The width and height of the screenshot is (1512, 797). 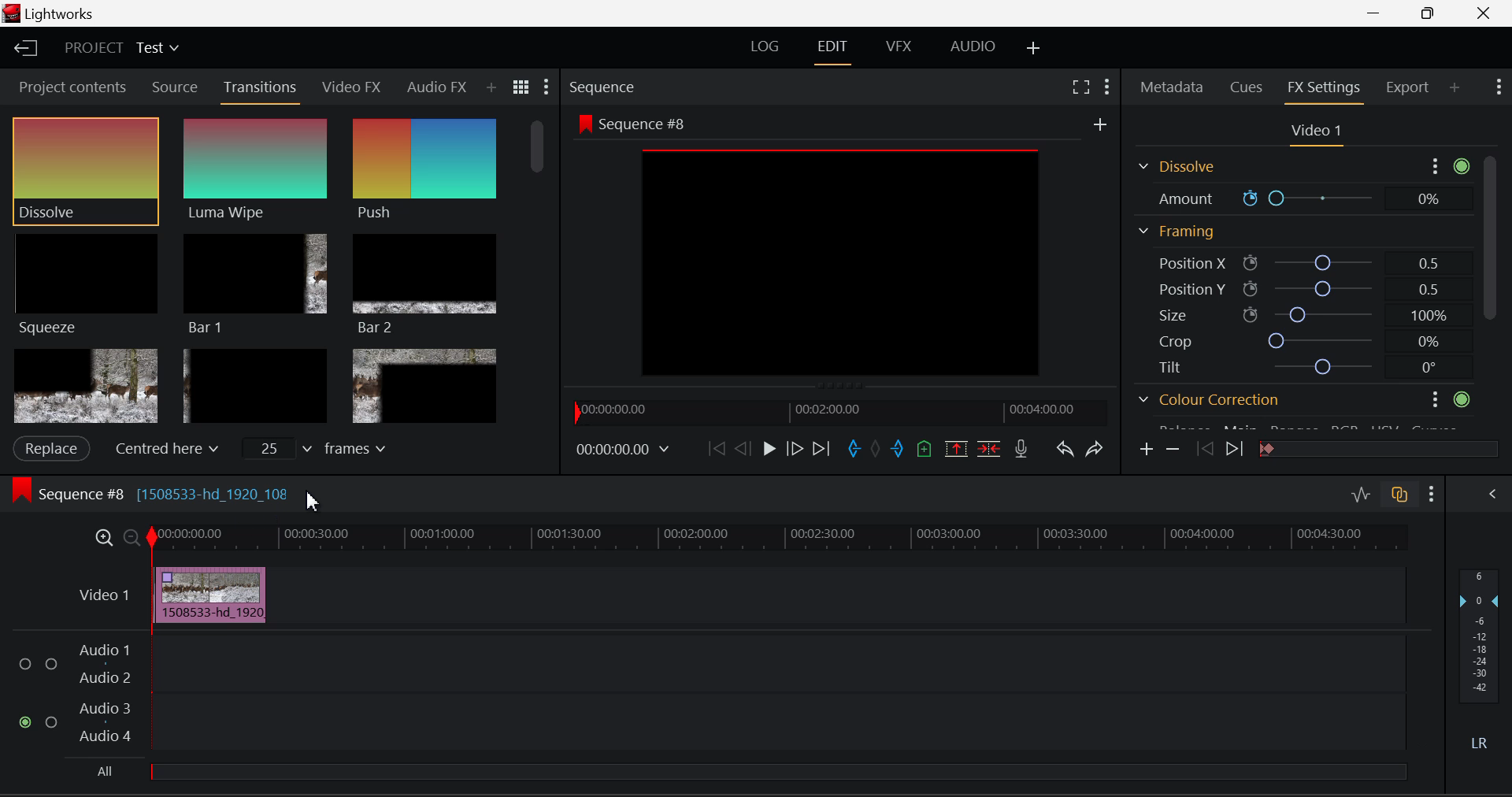 What do you see at coordinates (67, 86) in the screenshot?
I see `Project contents` at bounding box center [67, 86].